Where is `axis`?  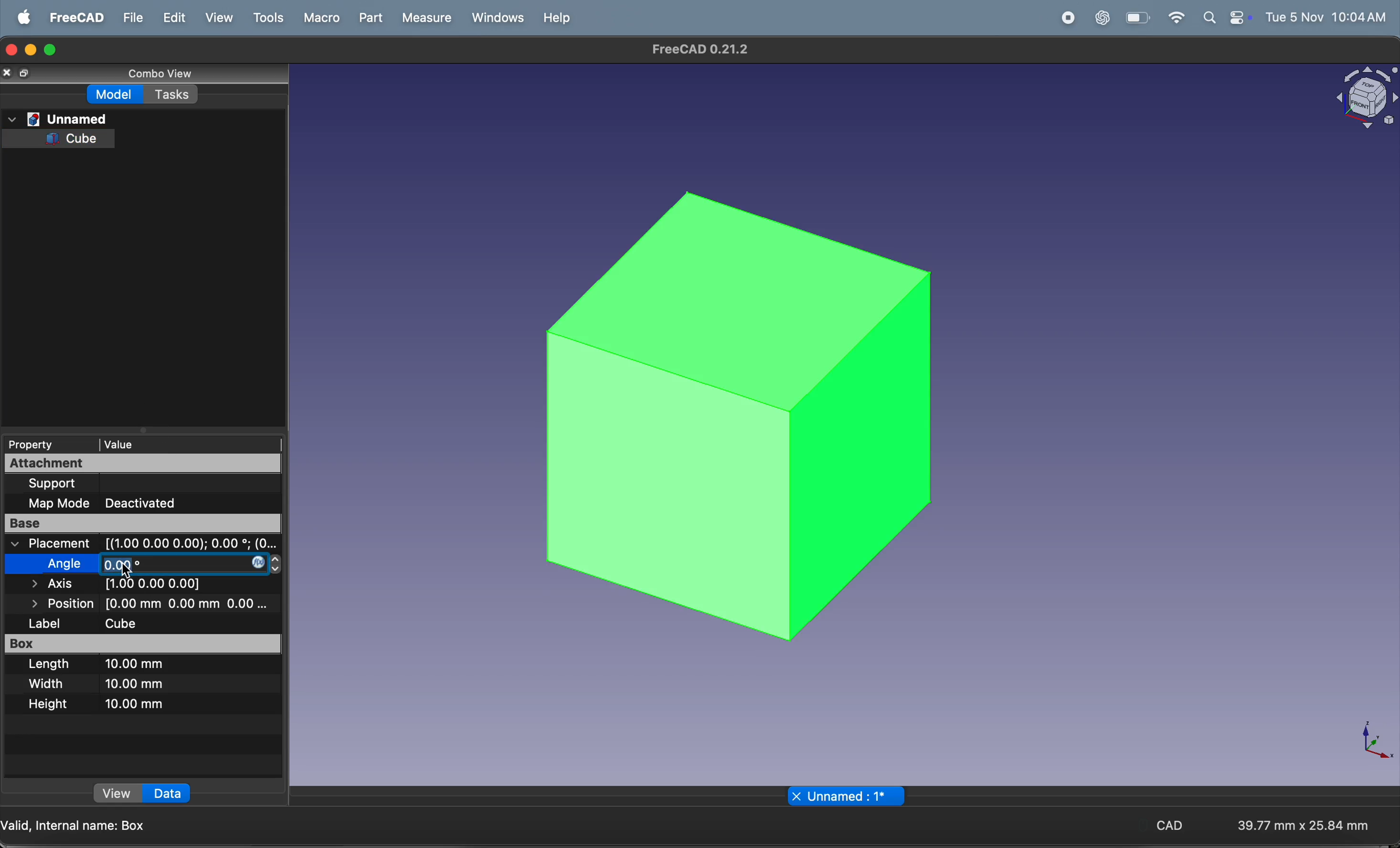
axis is located at coordinates (56, 585).